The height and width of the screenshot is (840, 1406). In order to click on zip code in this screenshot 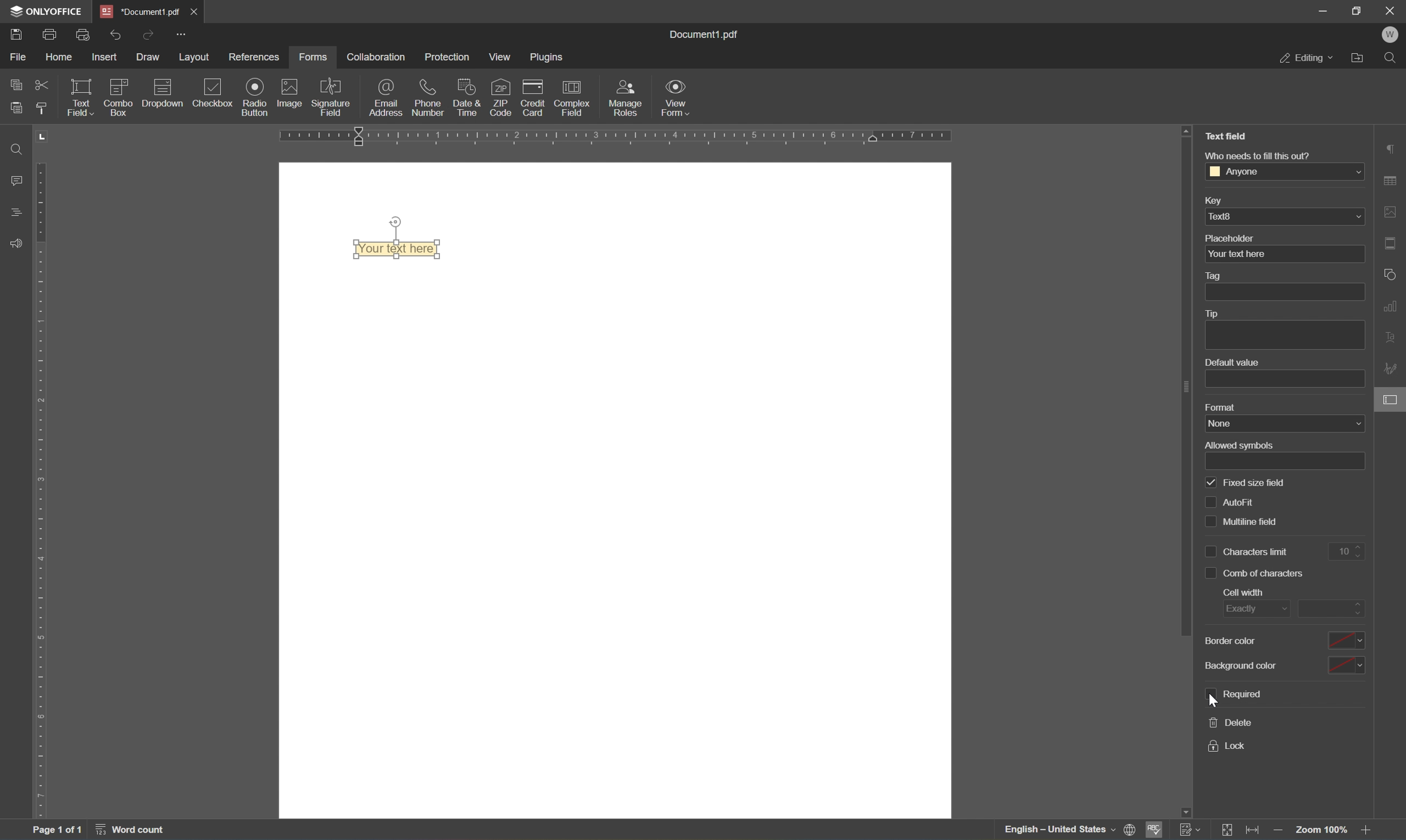, I will do `click(500, 97)`.